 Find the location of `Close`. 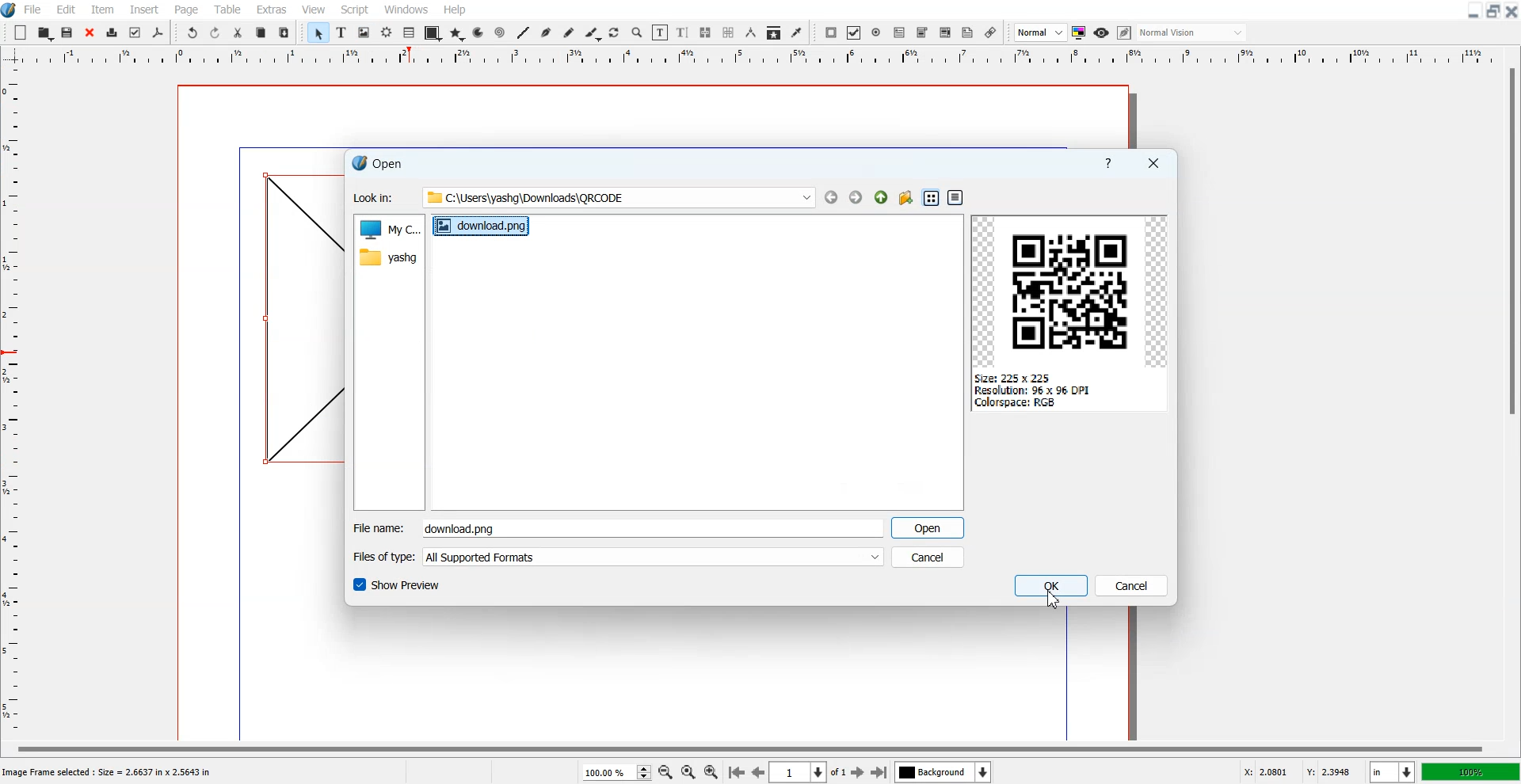

Close is located at coordinates (1511, 11).